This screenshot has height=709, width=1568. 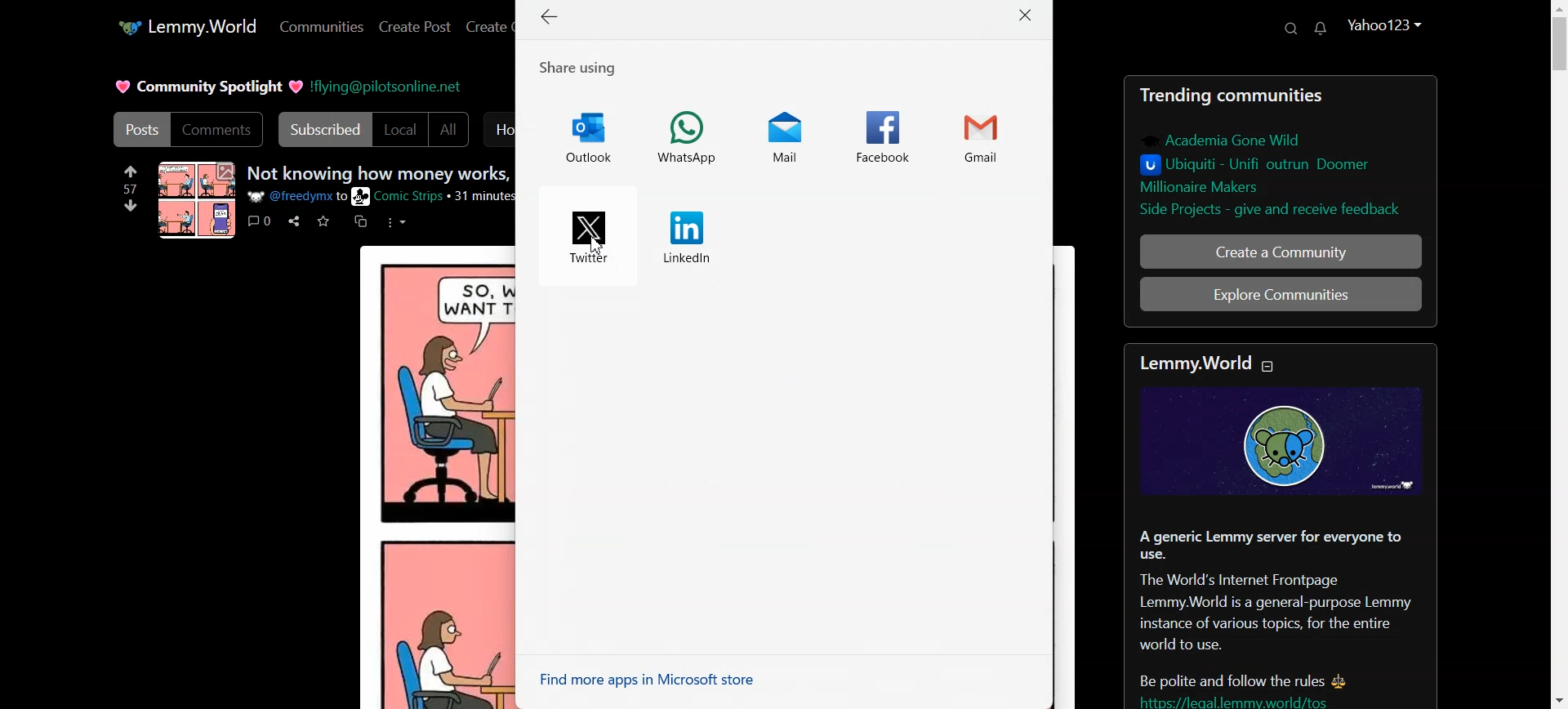 What do you see at coordinates (131, 205) in the screenshot?
I see `Downvote` at bounding box center [131, 205].